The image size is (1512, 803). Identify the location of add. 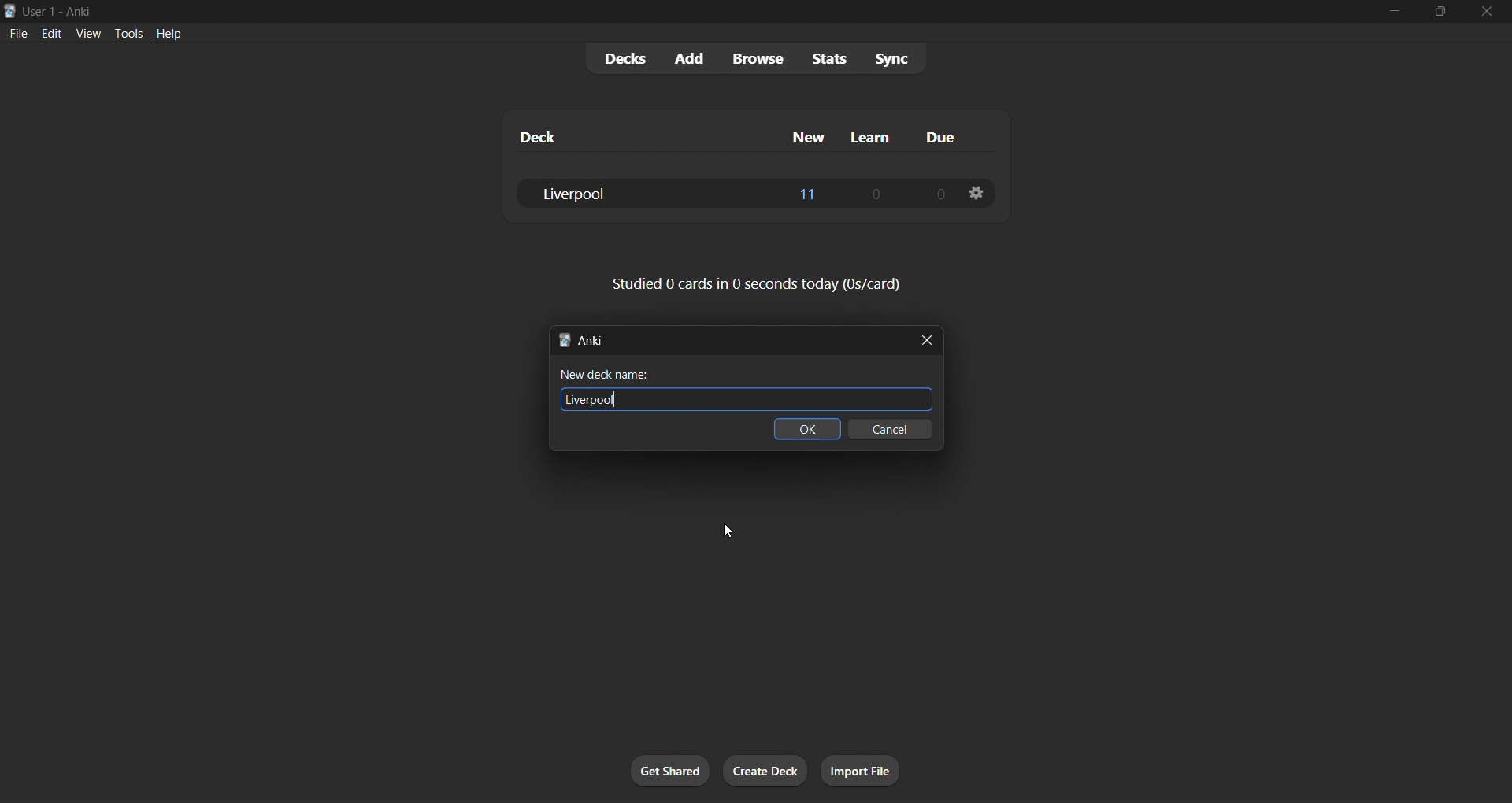
(685, 56).